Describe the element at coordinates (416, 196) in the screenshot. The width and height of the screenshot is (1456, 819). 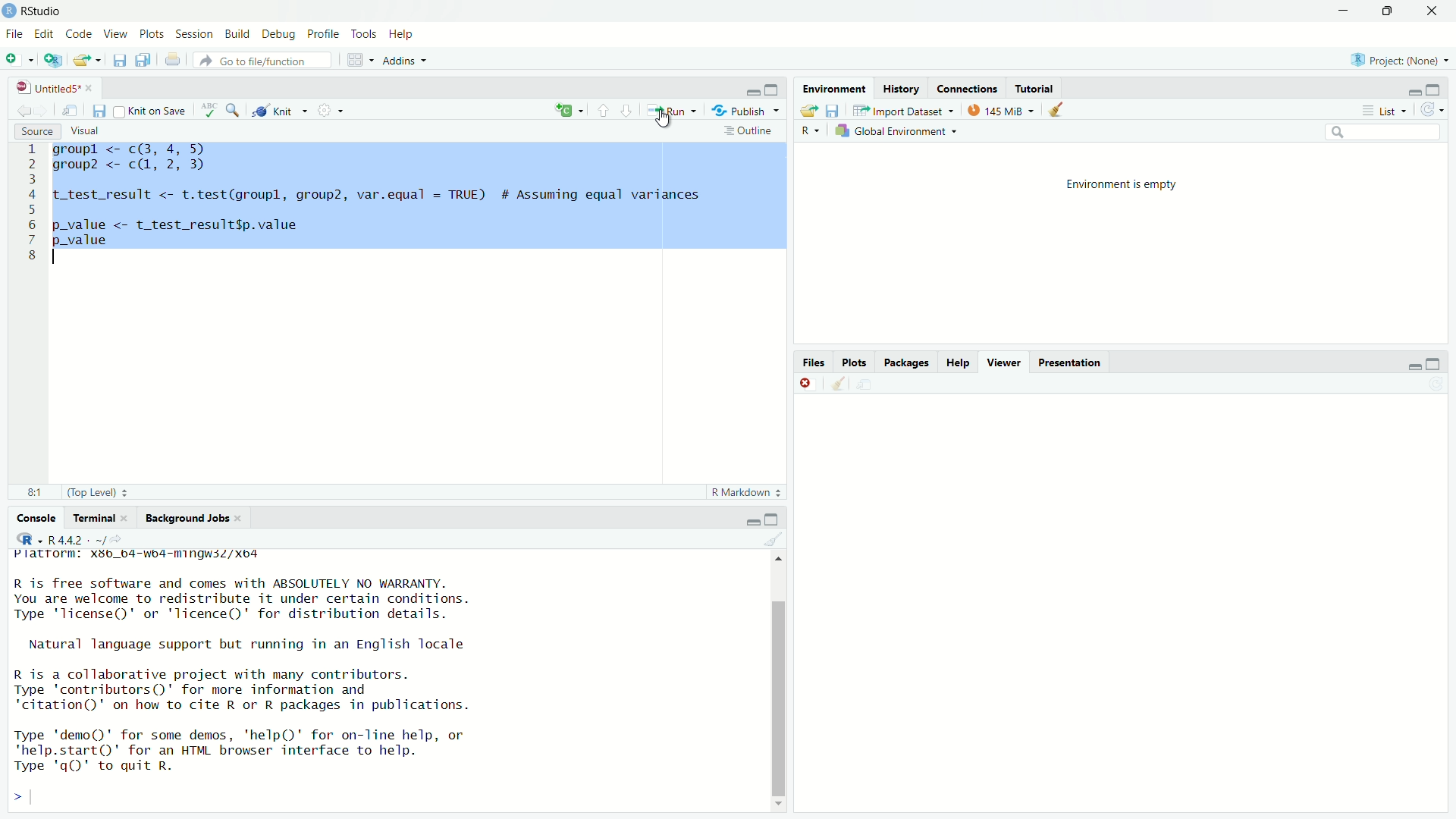
I see `groupl <- c(3, 4, >)
group? <- c(, 2, 3)

t_test_result <- t.test(groupl, group2, var.equal = TRUE) # Assuming equal variances
p_value <- t_test_result$p.value

p_value -` at that location.